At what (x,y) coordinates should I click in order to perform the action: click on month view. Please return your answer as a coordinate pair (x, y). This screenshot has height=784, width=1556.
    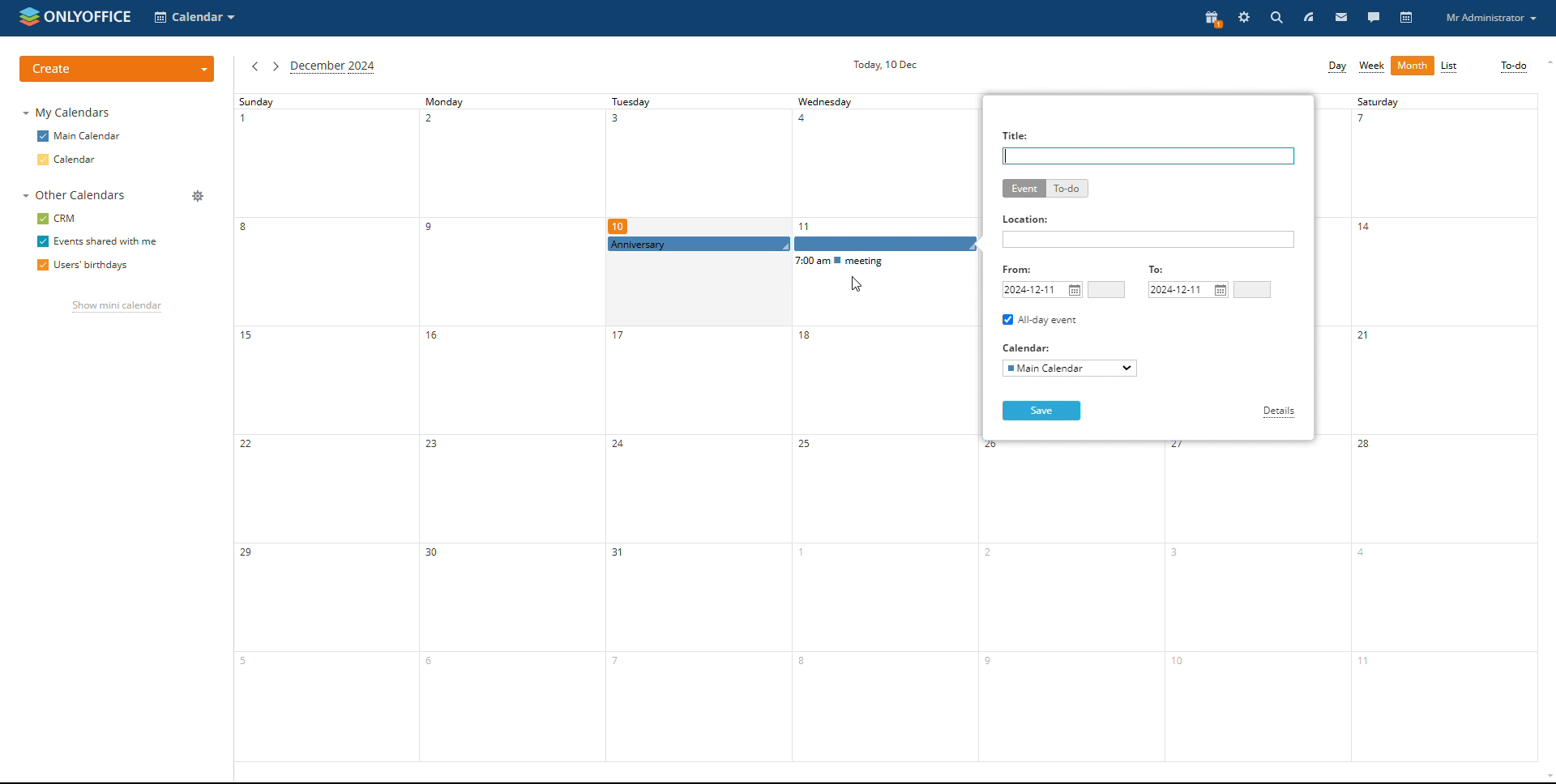
    Looking at the image, I should click on (1413, 66).